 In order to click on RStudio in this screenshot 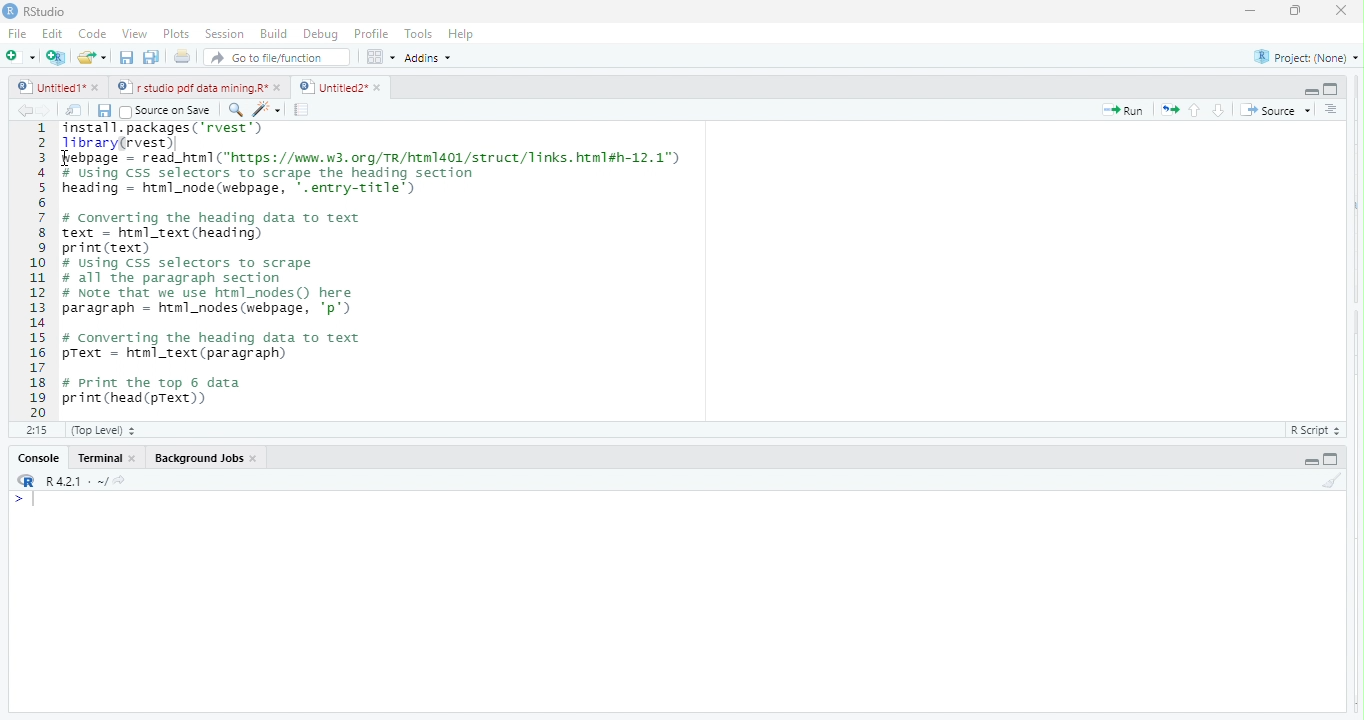, I will do `click(51, 10)`.